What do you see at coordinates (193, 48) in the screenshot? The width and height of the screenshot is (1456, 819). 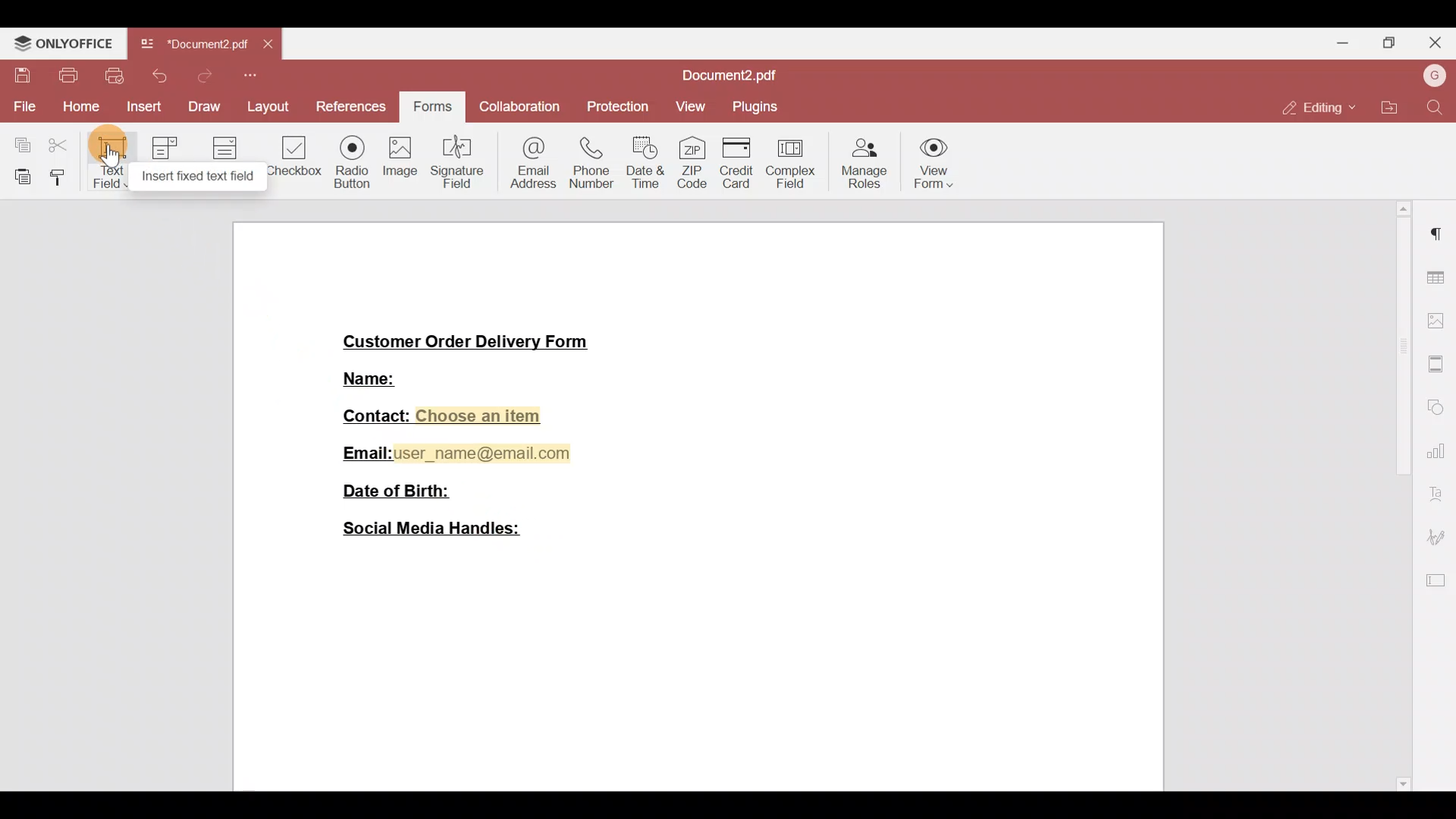 I see `Document2.pdf` at bounding box center [193, 48].